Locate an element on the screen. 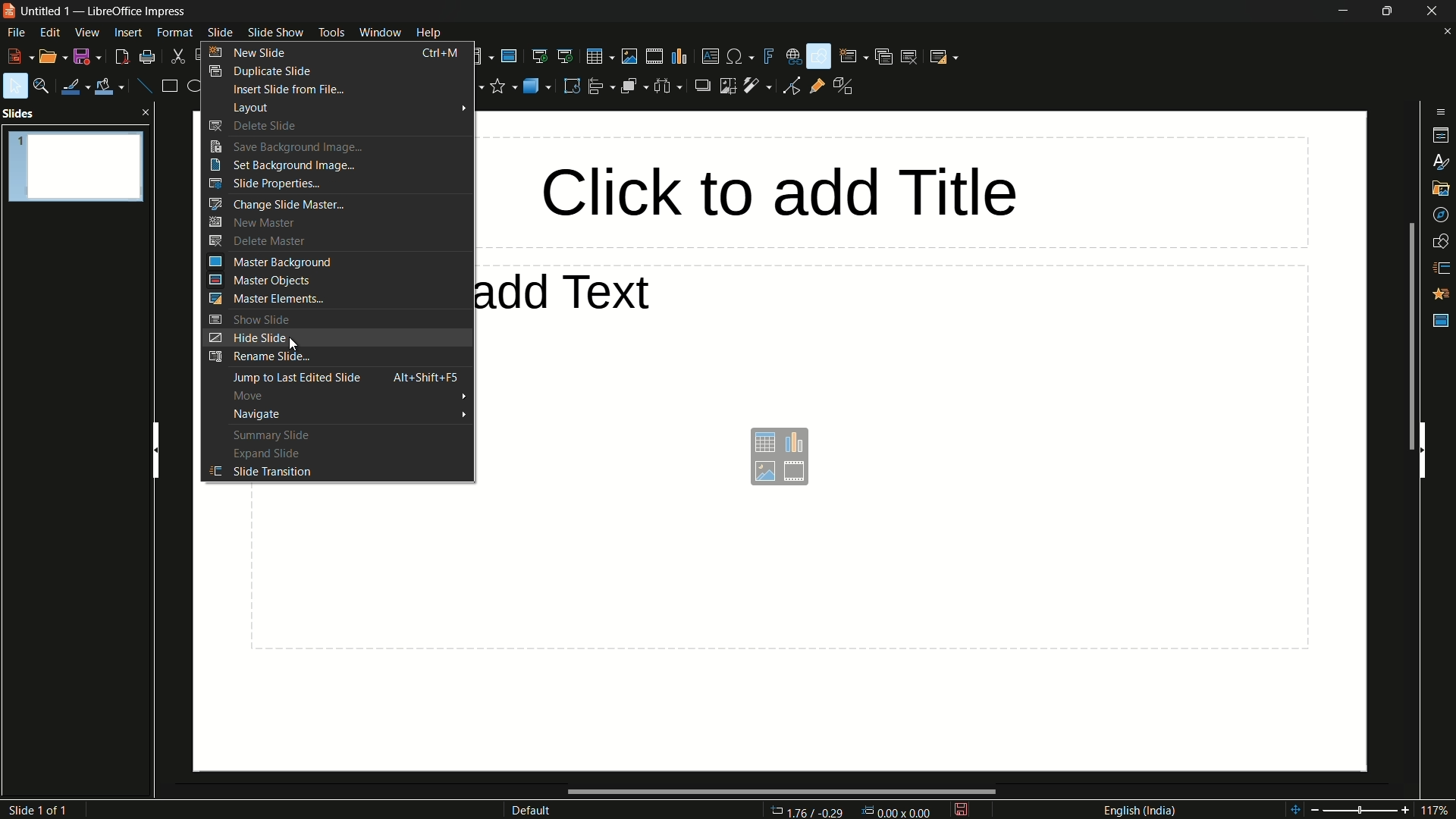  stars and banners is located at coordinates (503, 86).